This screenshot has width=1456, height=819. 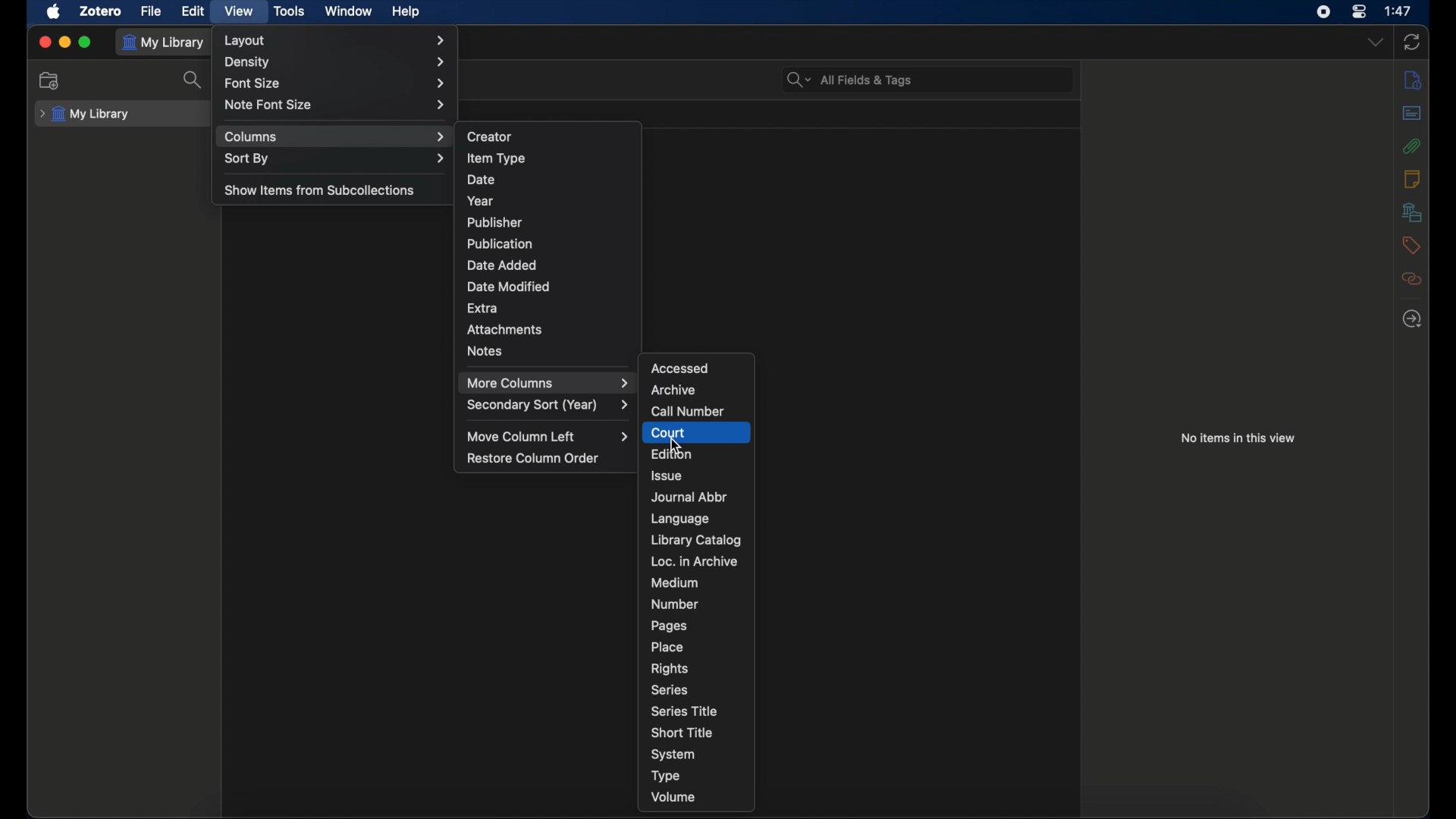 I want to click on related, so click(x=1411, y=278).